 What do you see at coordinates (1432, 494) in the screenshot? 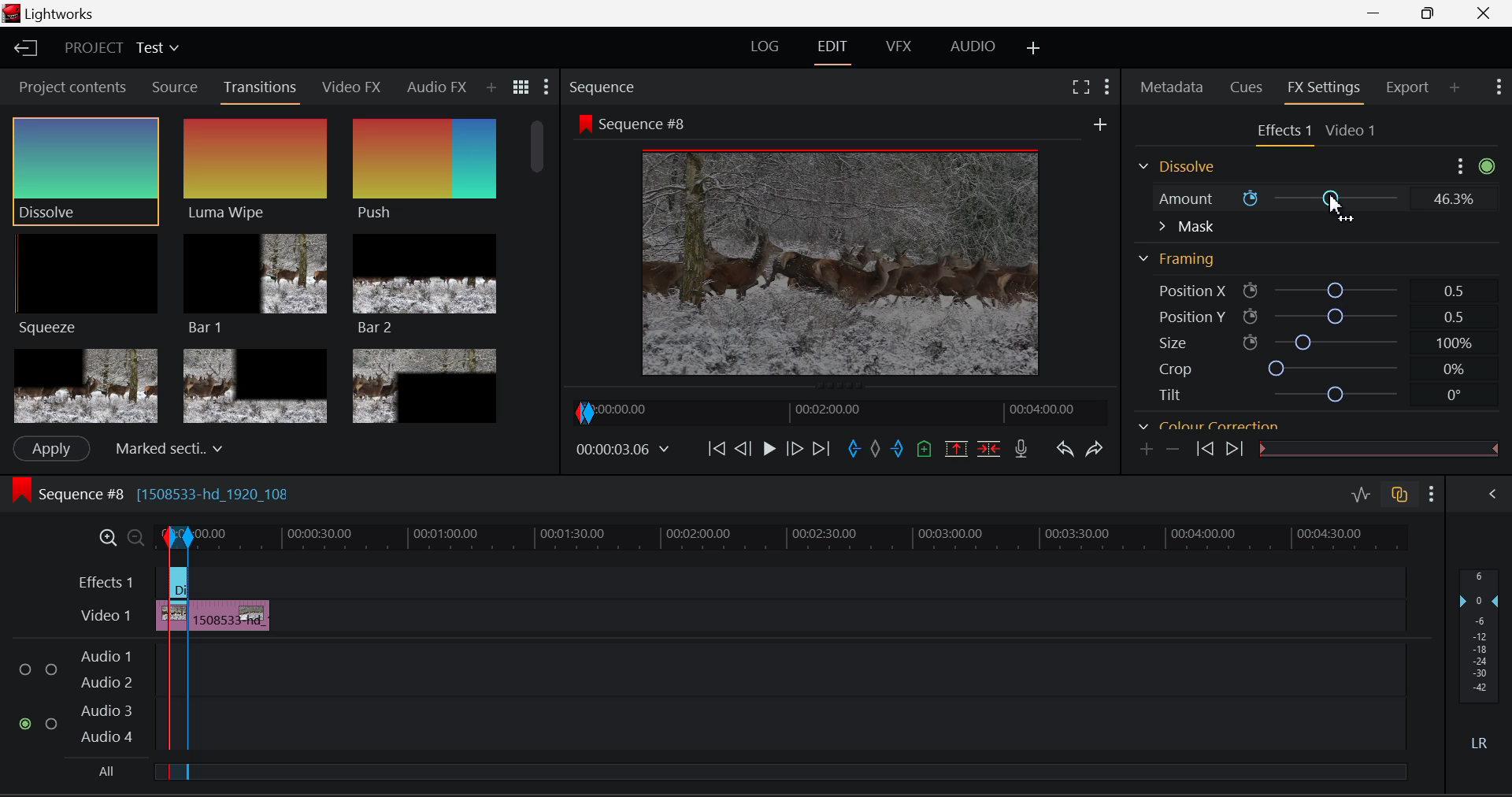
I see `Show Settings` at bounding box center [1432, 494].